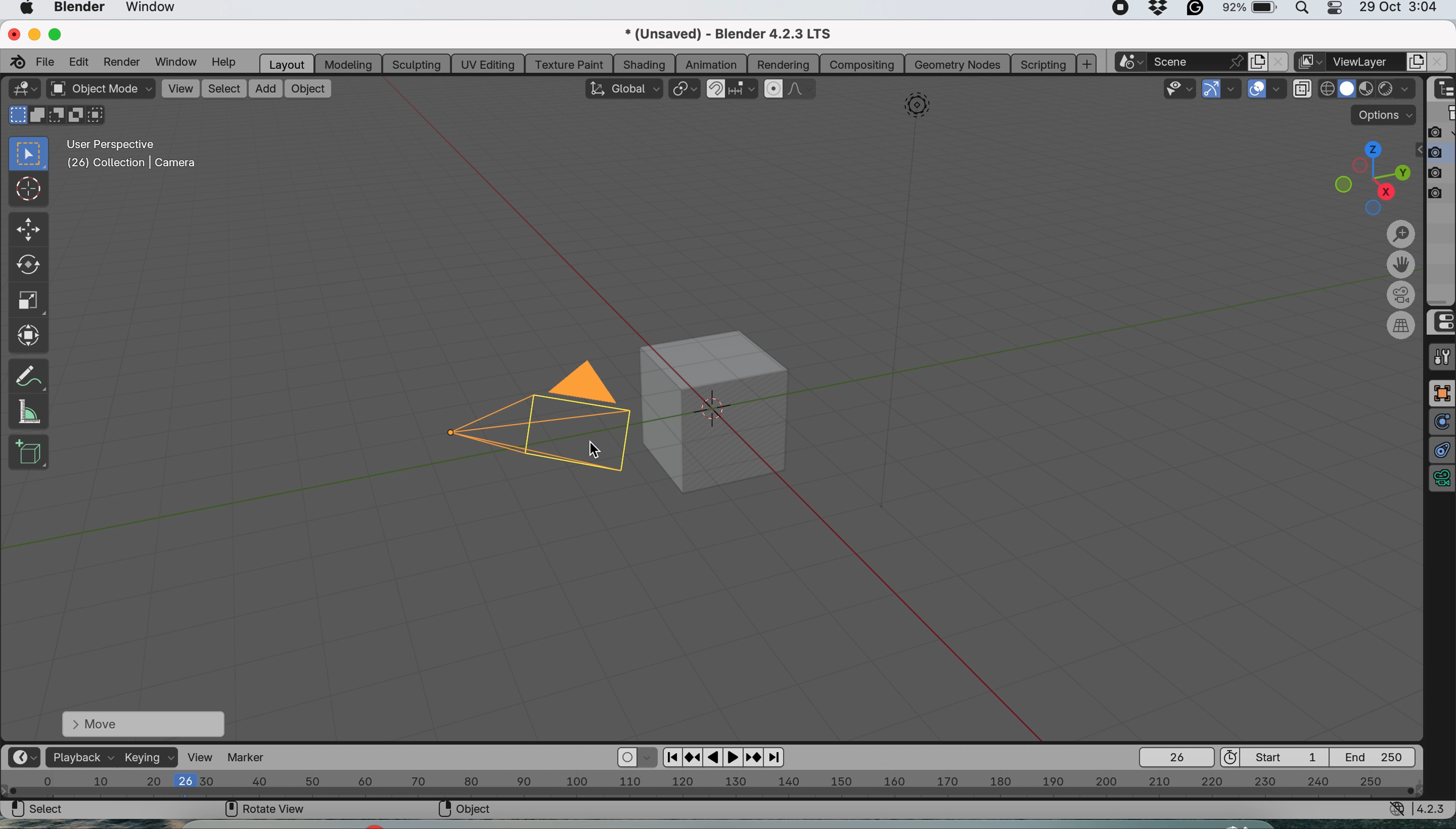  I want to click on texture paint, so click(568, 64).